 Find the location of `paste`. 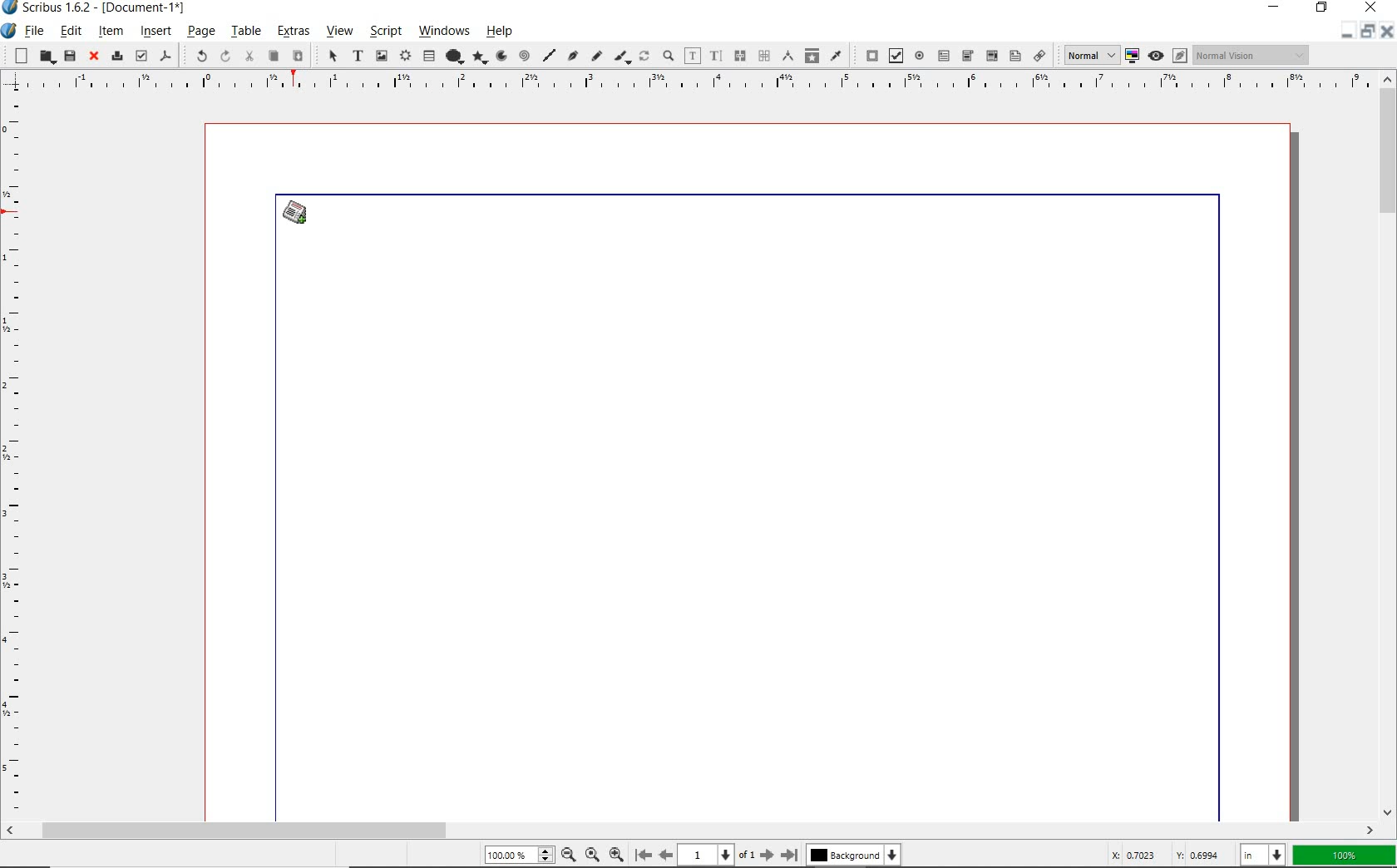

paste is located at coordinates (297, 55).